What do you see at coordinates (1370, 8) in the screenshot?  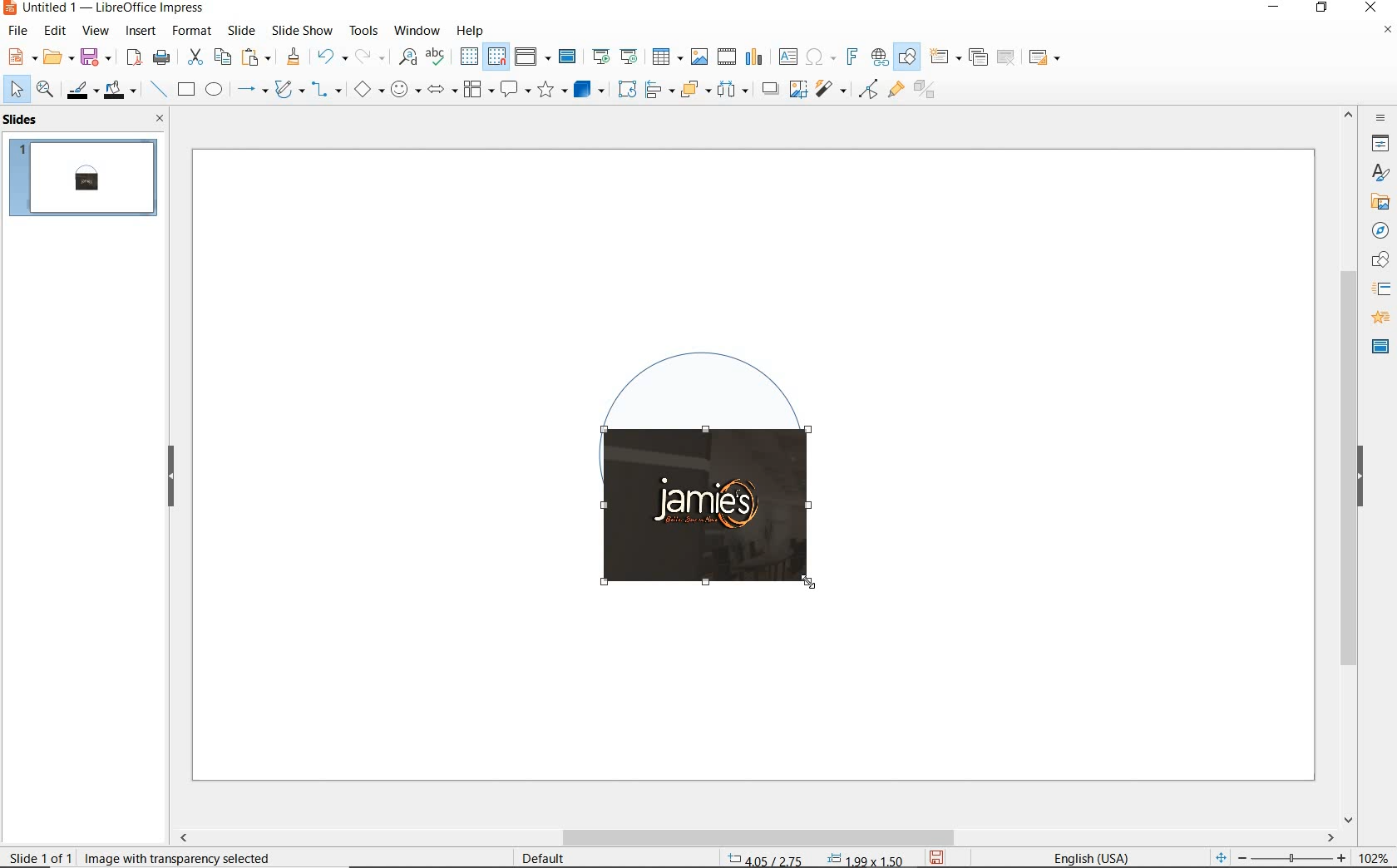 I see `close` at bounding box center [1370, 8].